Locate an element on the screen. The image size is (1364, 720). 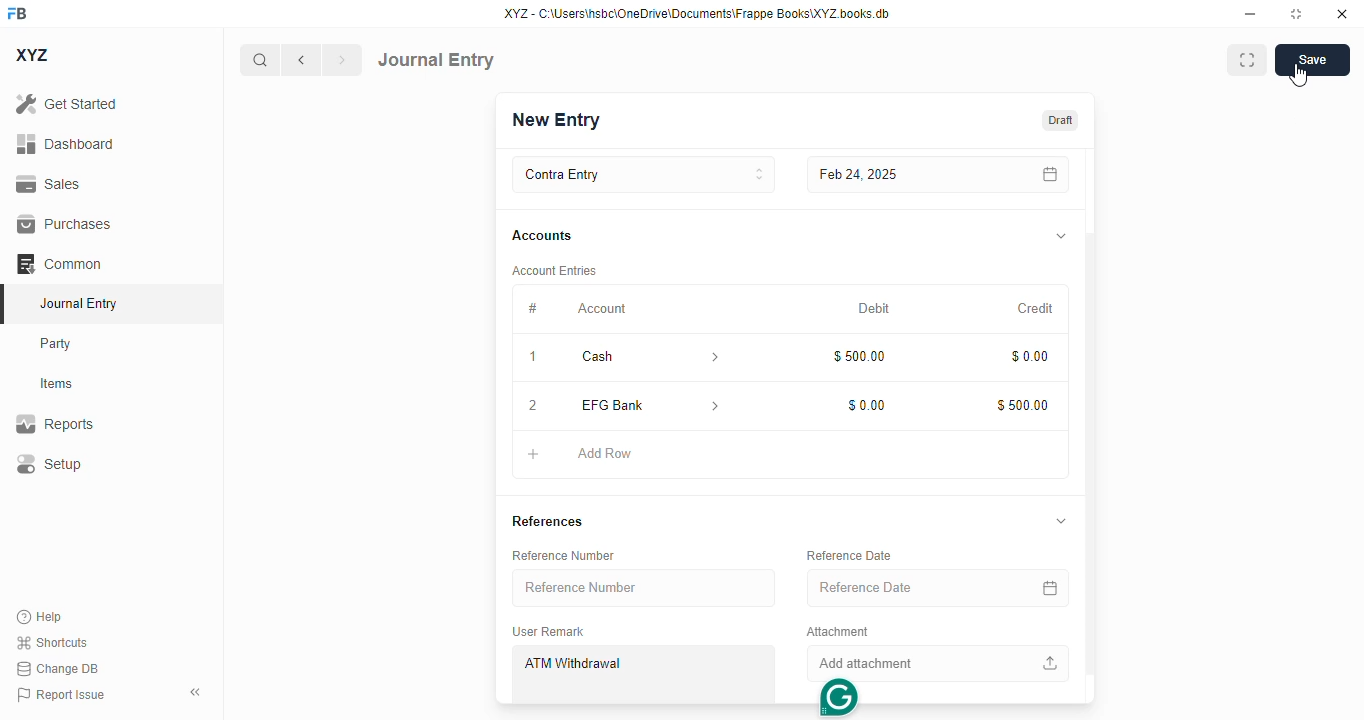
dashboard is located at coordinates (65, 143).